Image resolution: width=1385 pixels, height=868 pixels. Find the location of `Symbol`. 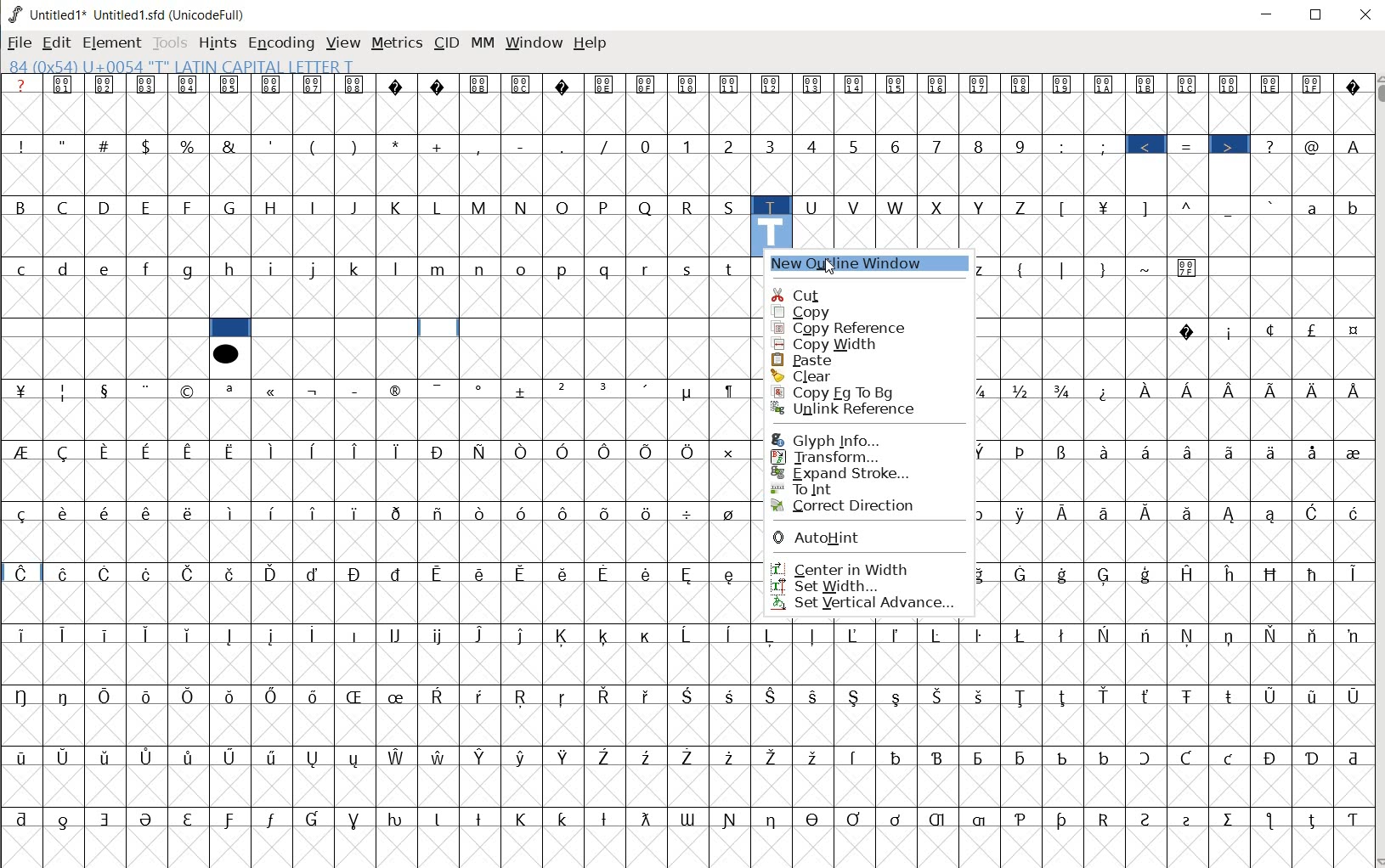

Symbol is located at coordinates (938, 86).